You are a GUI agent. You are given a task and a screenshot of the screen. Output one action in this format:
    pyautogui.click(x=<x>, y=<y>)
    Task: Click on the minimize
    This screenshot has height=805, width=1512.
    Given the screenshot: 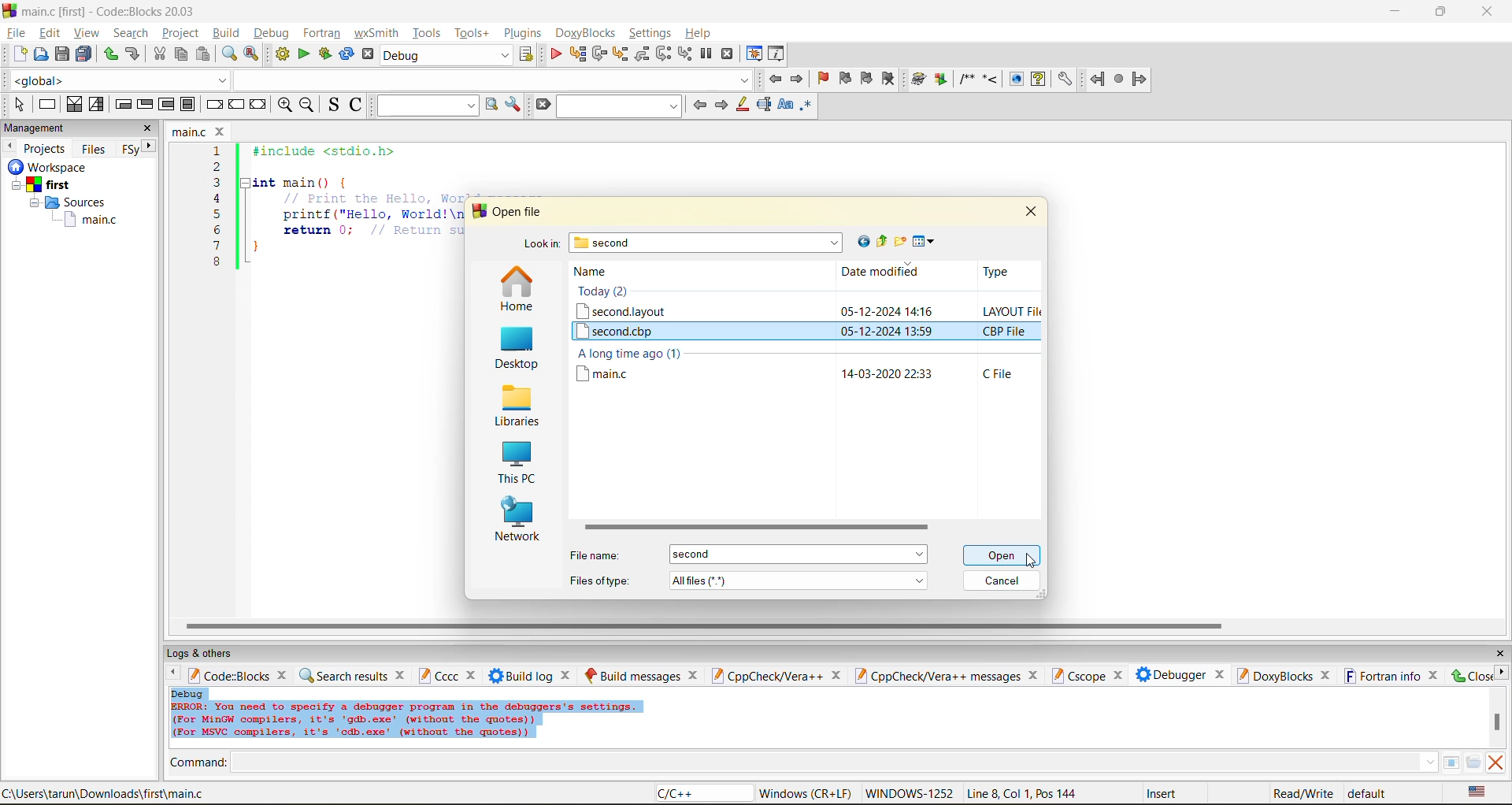 What is the action you would take?
    pyautogui.click(x=1396, y=12)
    